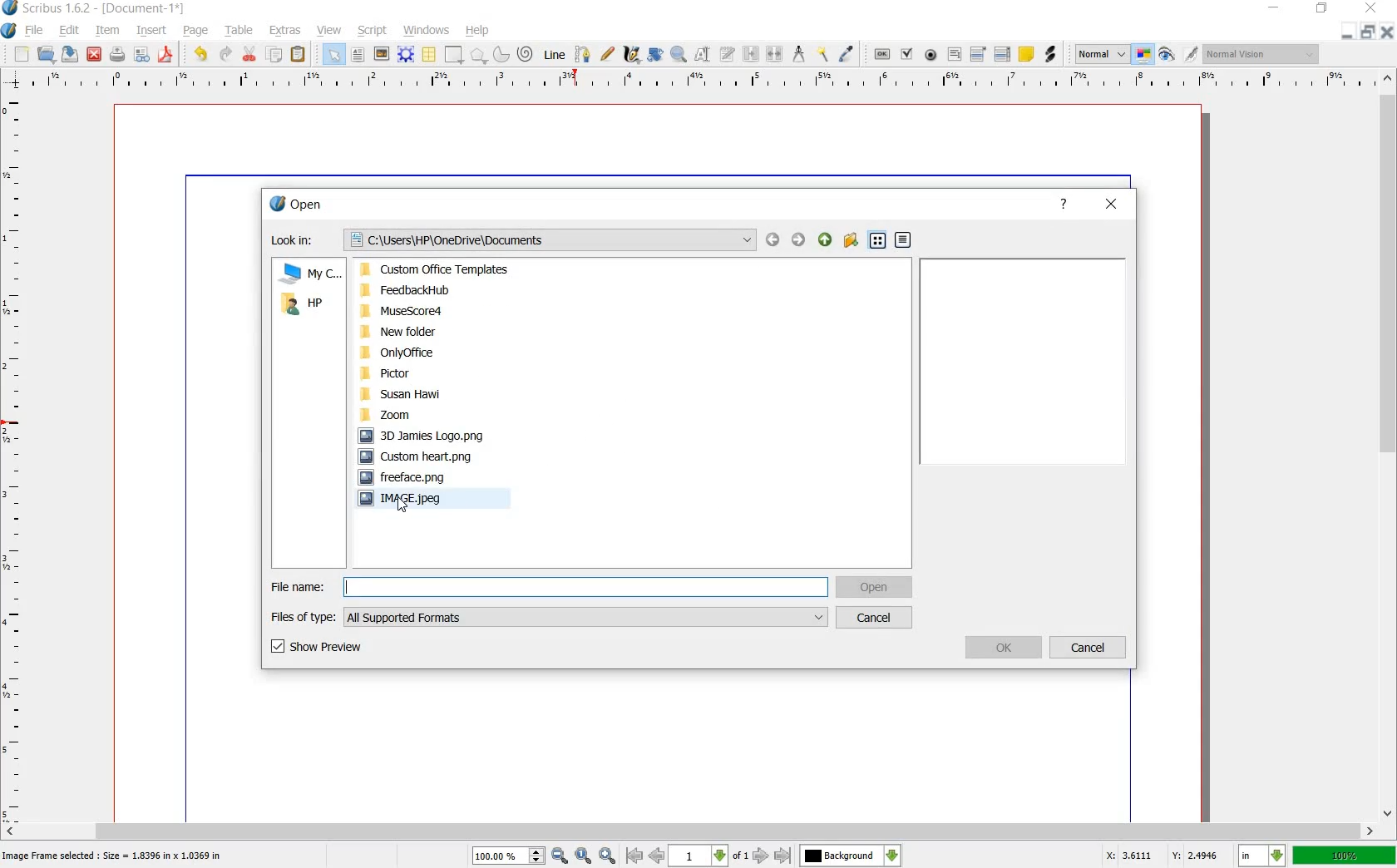  Describe the element at coordinates (452, 55) in the screenshot. I see `shape` at that location.